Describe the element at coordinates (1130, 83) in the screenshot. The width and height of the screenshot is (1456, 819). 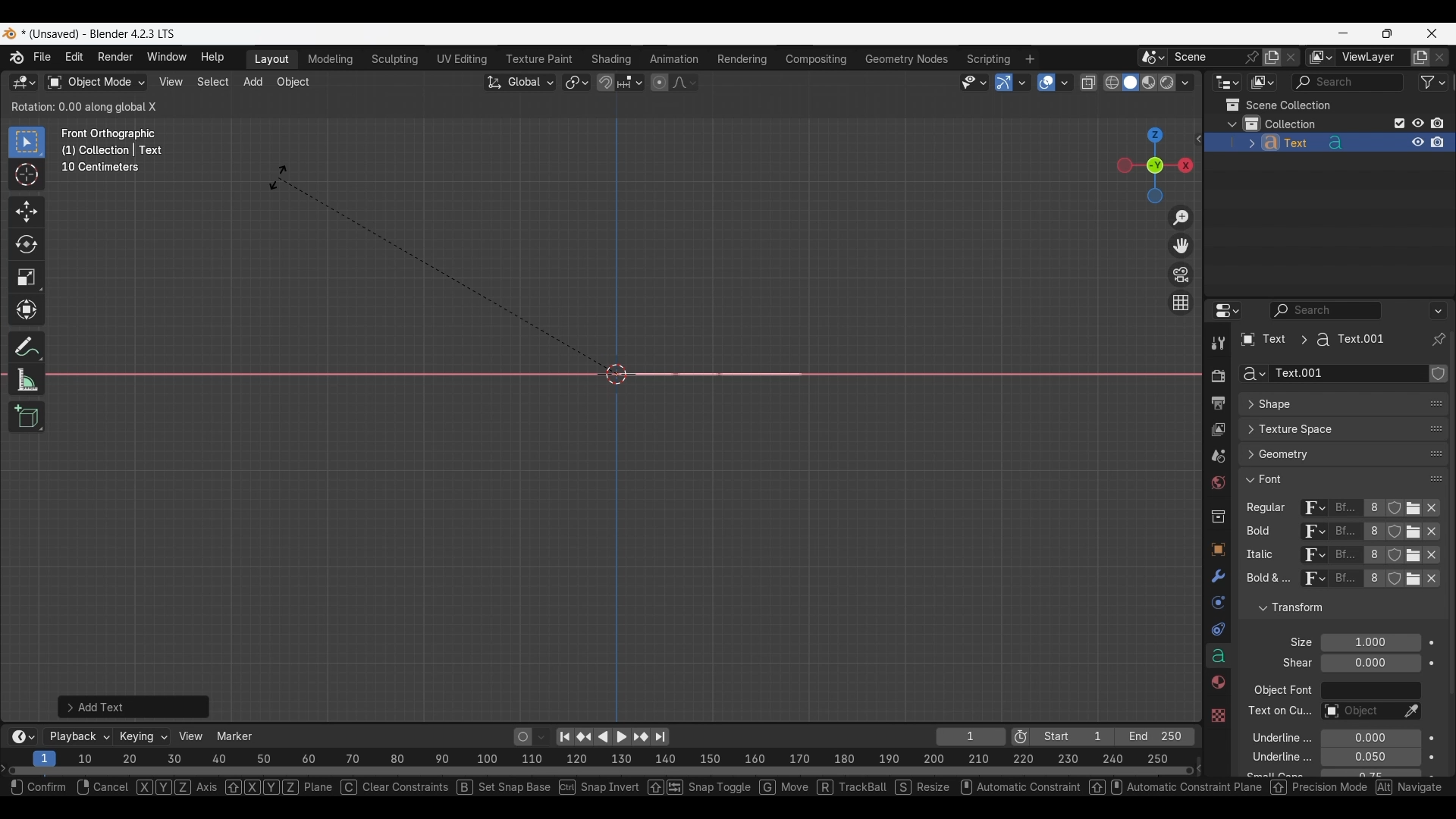
I see `Viewport shading, solid` at that location.